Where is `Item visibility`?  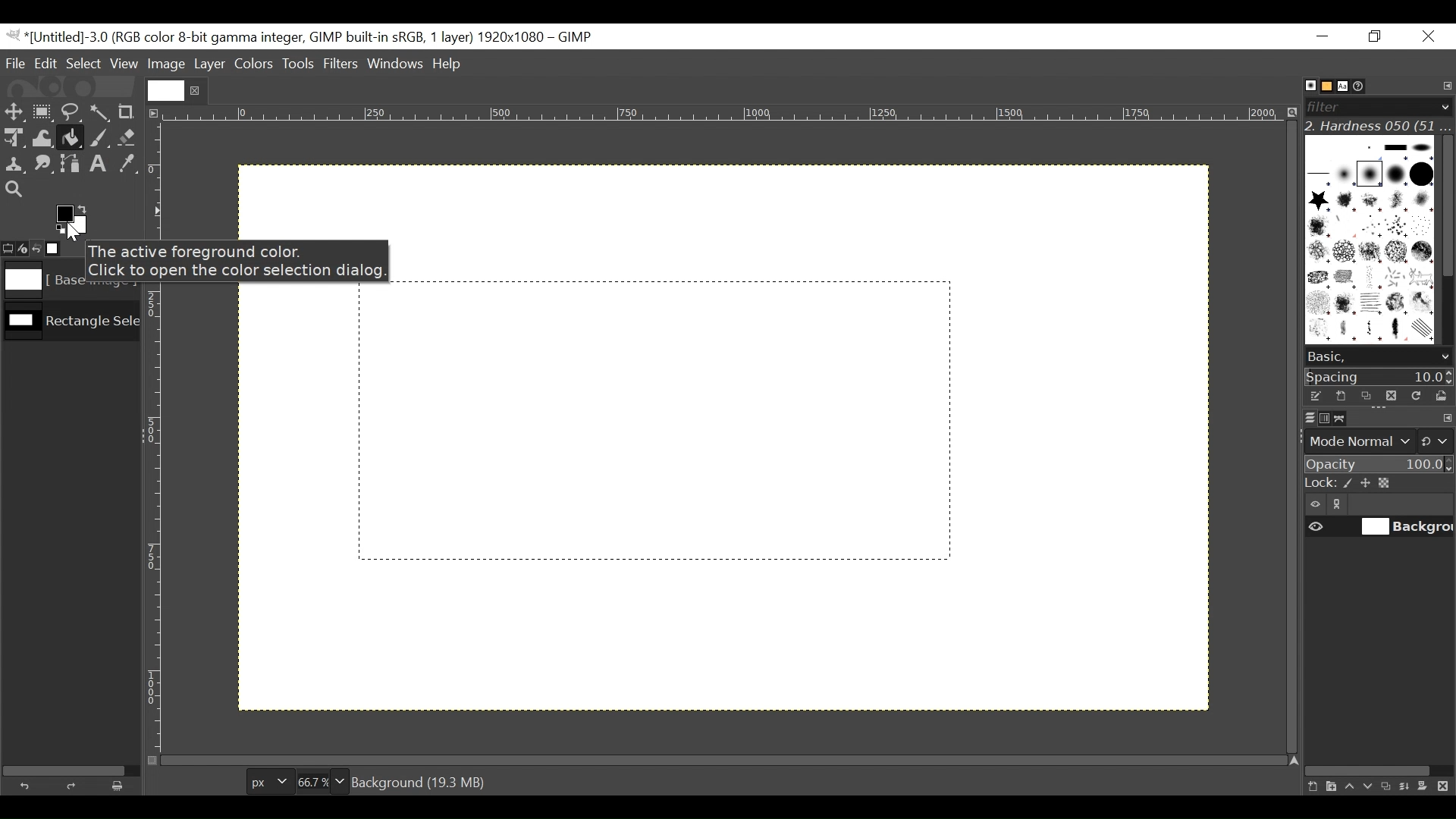
Item visibility is located at coordinates (1316, 505).